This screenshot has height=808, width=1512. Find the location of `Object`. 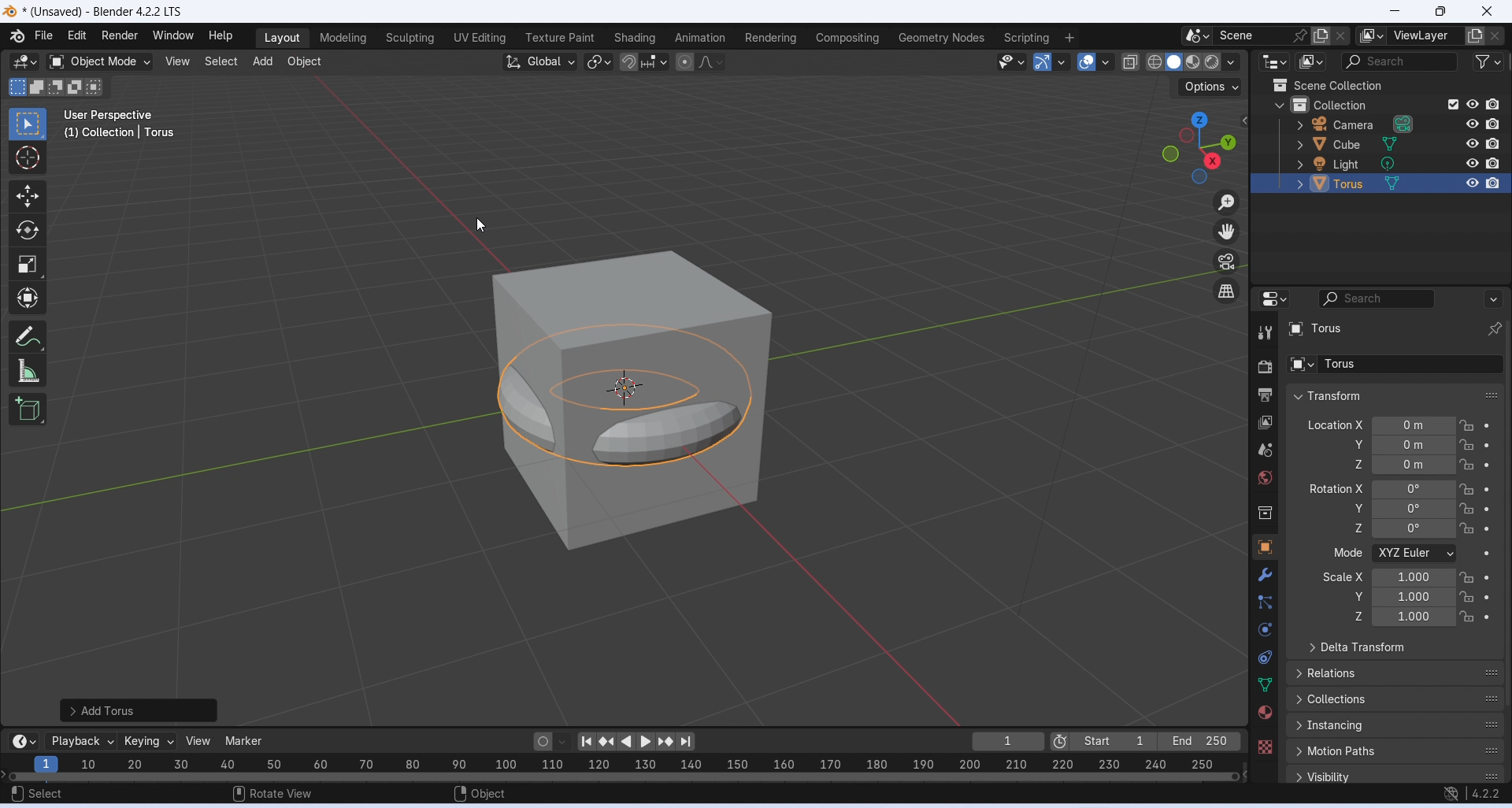

Object is located at coordinates (305, 61).